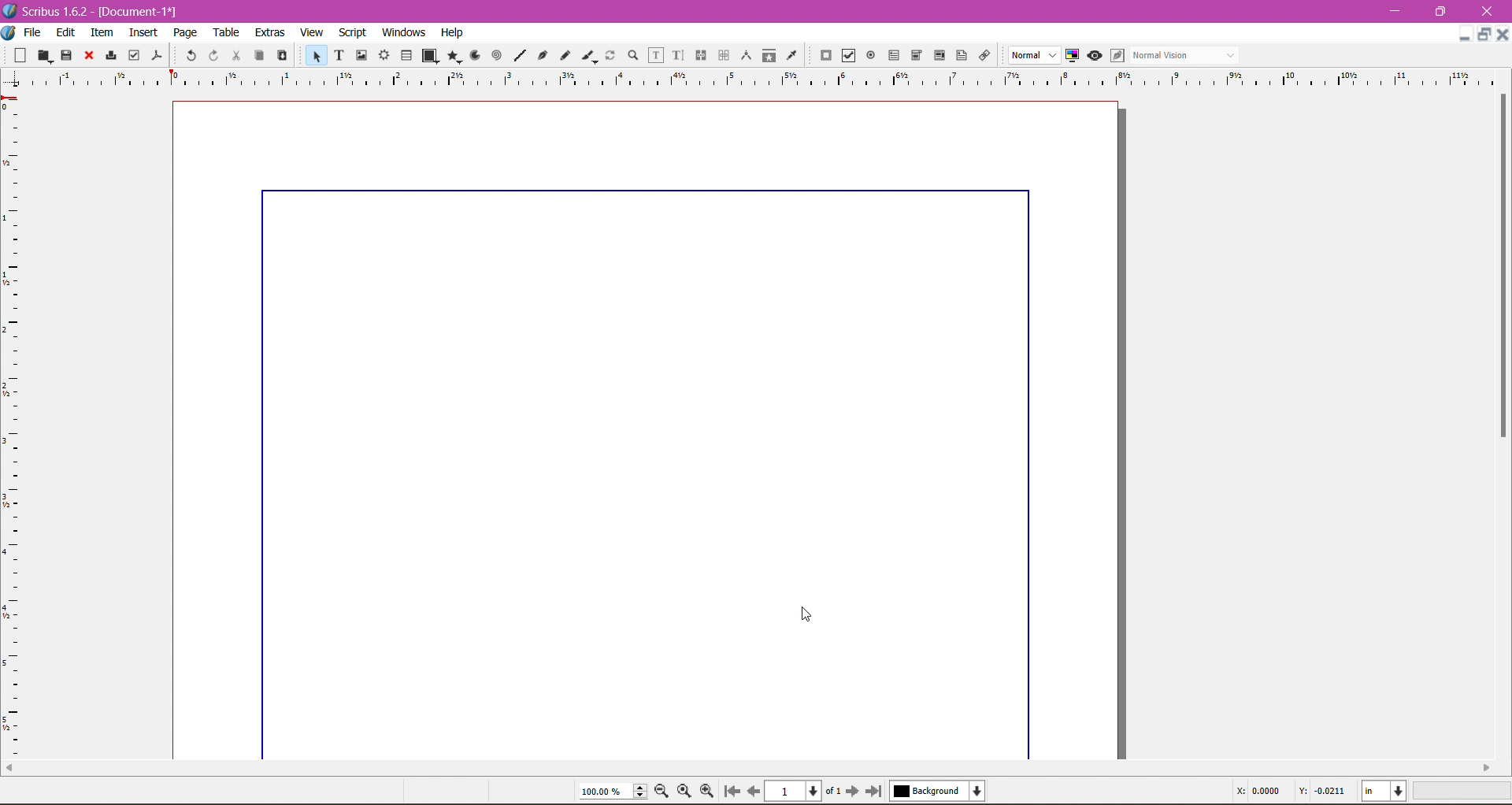 Image resolution: width=1512 pixels, height=805 pixels. What do you see at coordinates (1255, 791) in the screenshot?
I see `Cursor Coordinate - X` at bounding box center [1255, 791].